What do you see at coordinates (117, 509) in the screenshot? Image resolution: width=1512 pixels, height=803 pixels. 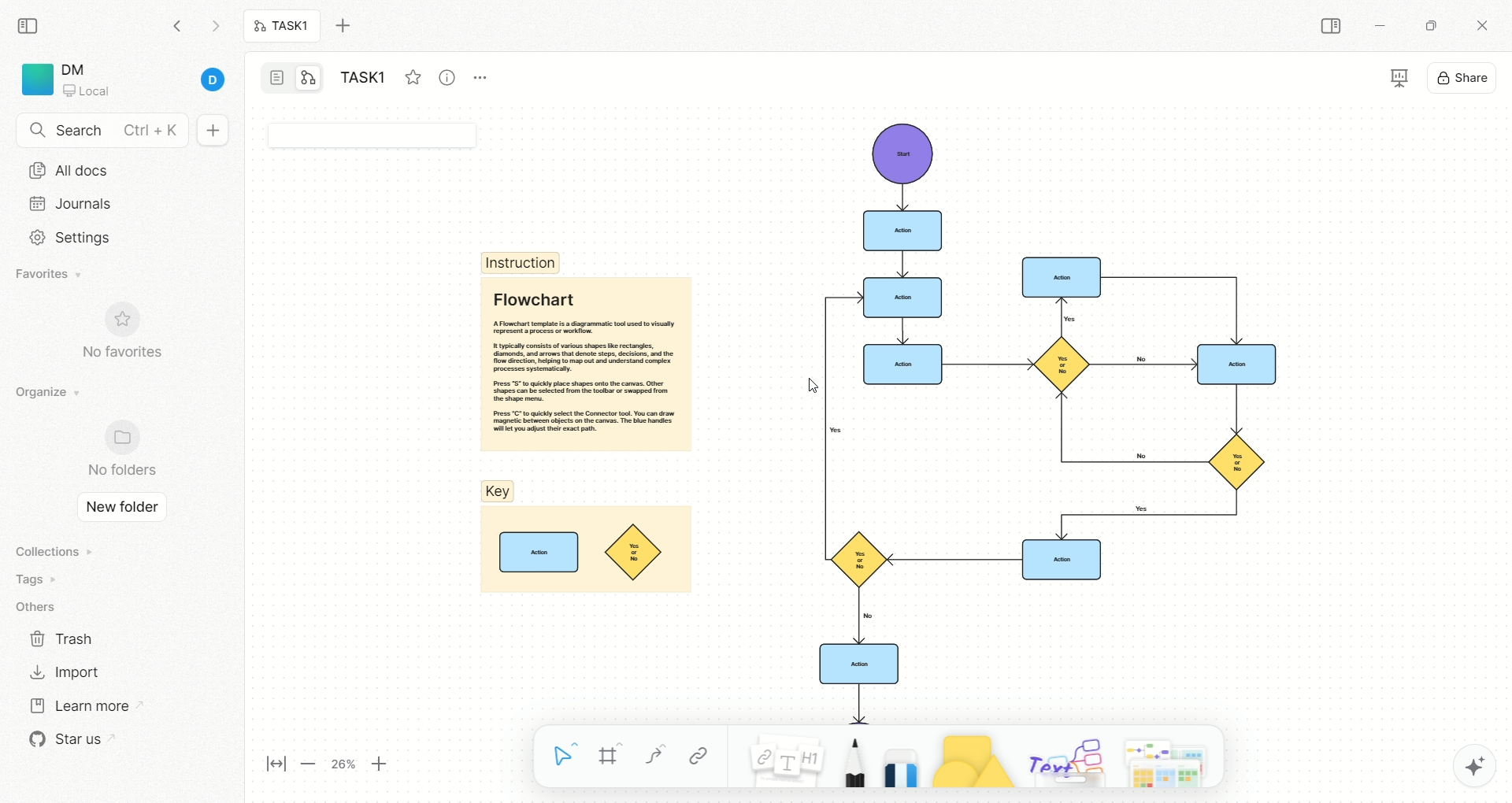 I see `new folder` at bounding box center [117, 509].